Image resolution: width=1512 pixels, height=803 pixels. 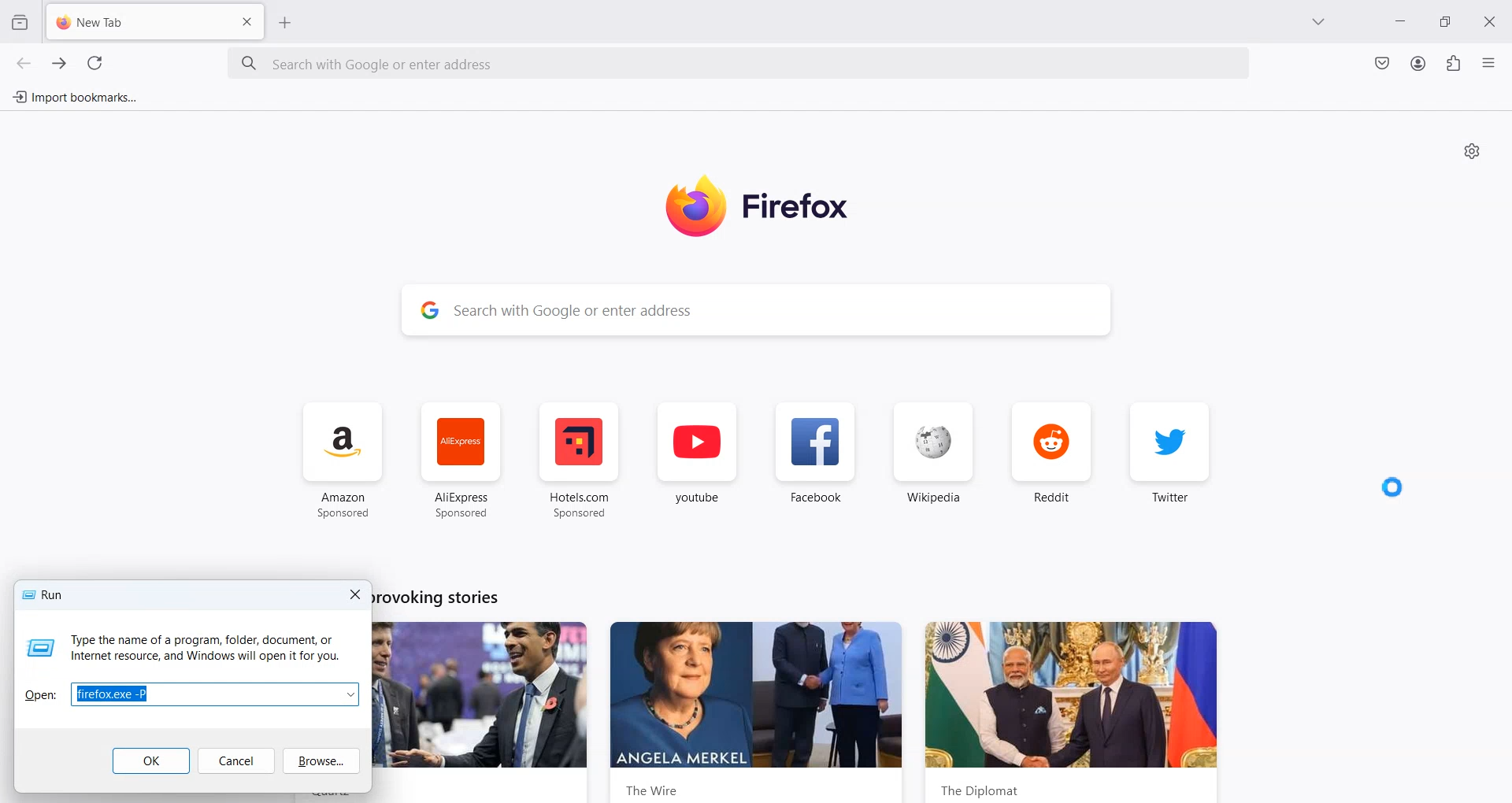 What do you see at coordinates (1494, 20) in the screenshot?
I see `Close` at bounding box center [1494, 20].